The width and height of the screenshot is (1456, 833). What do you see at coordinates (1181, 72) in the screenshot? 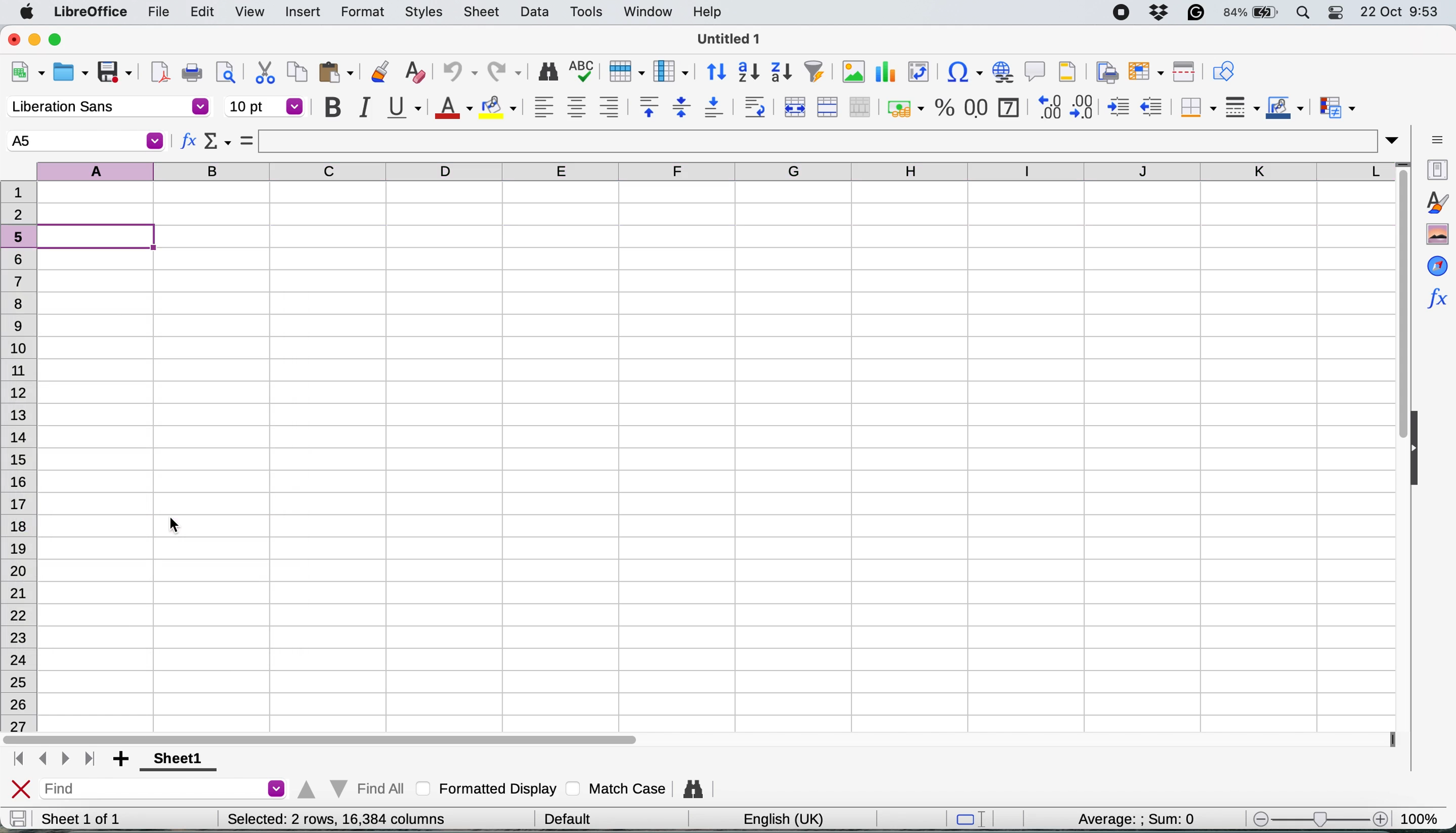
I see `split window` at bounding box center [1181, 72].